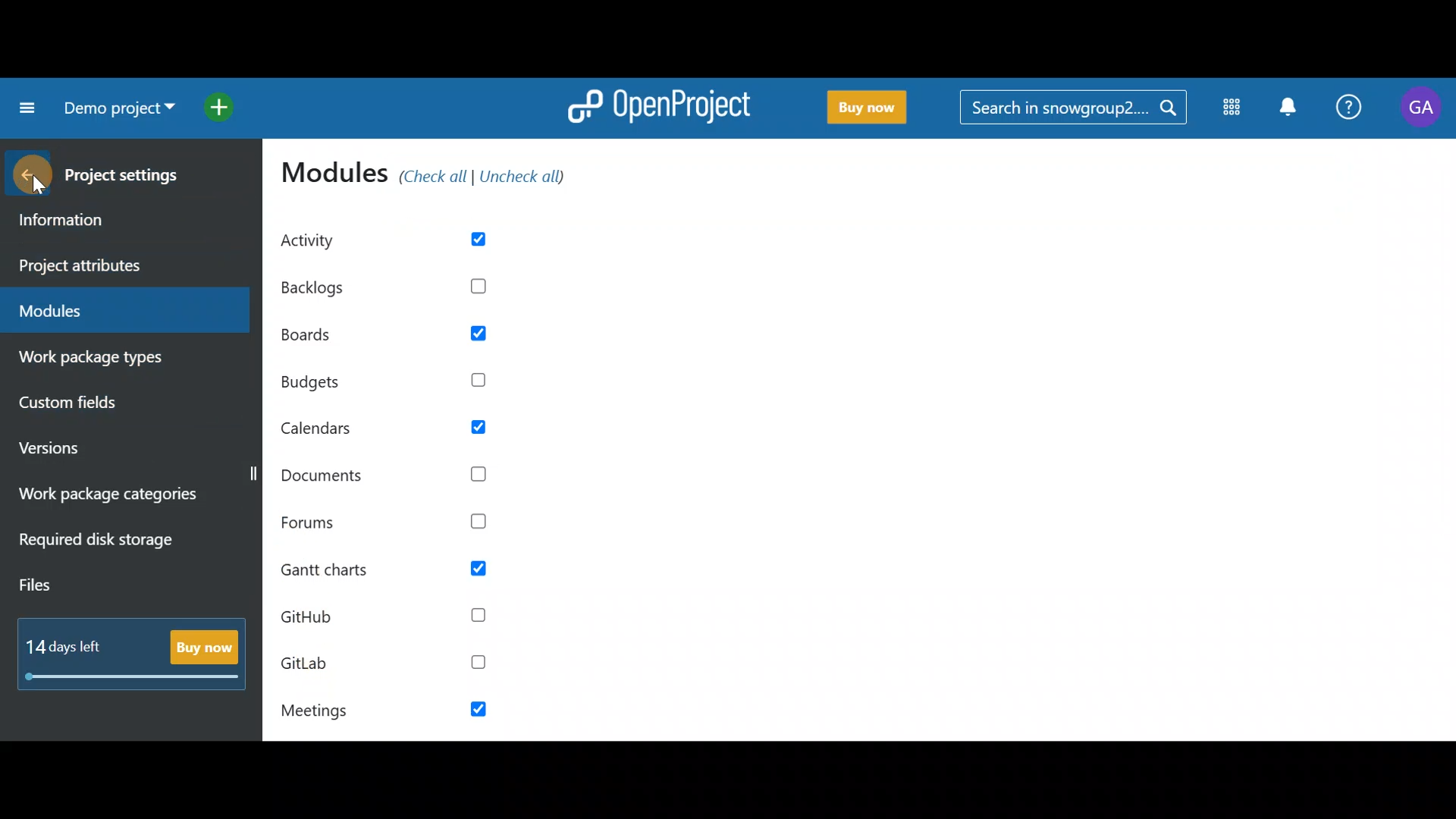 Image resolution: width=1456 pixels, height=819 pixels. What do you see at coordinates (117, 360) in the screenshot?
I see `Work package types` at bounding box center [117, 360].